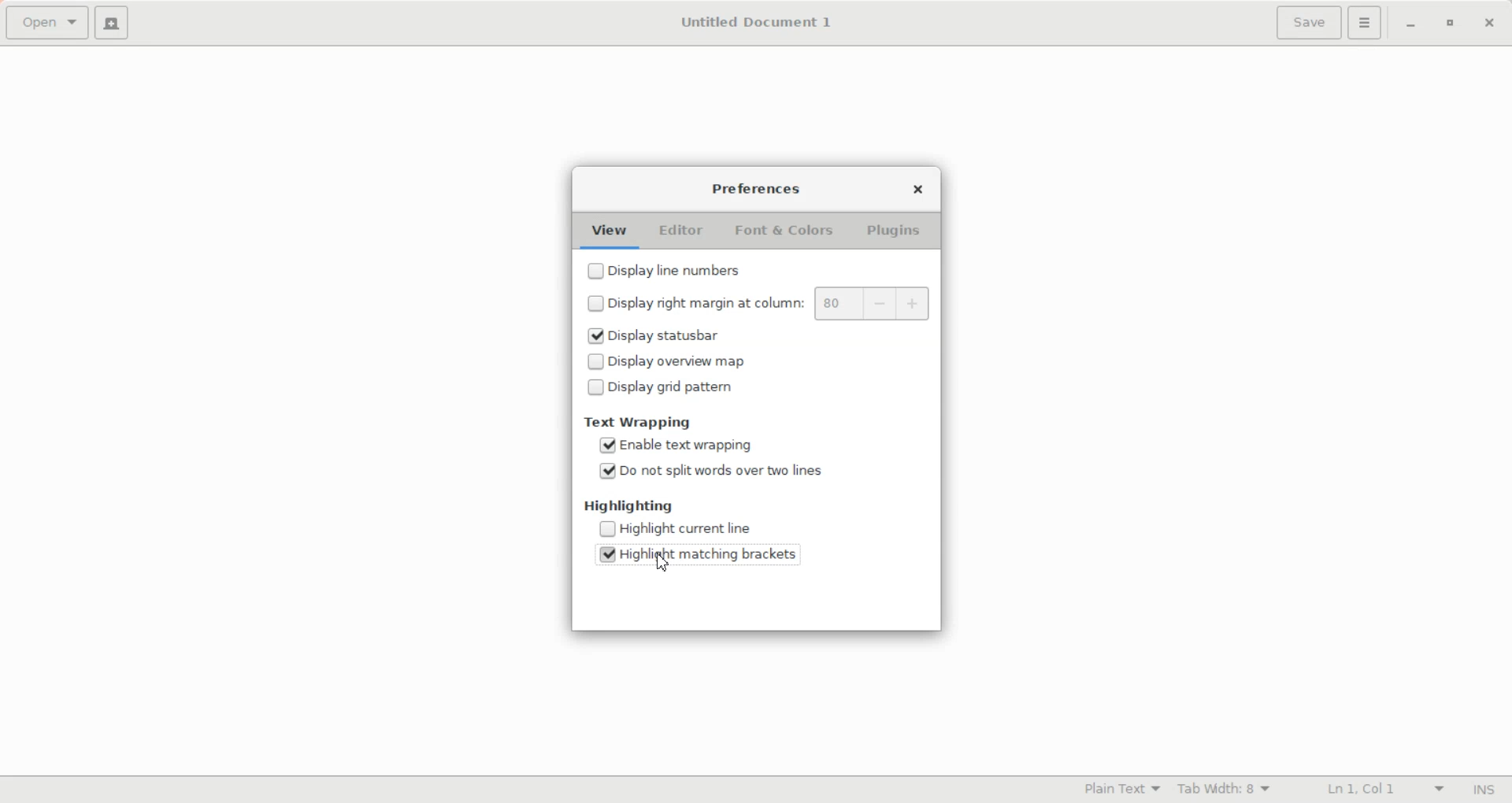  What do you see at coordinates (758, 189) in the screenshot?
I see `Preferences` at bounding box center [758, 189].